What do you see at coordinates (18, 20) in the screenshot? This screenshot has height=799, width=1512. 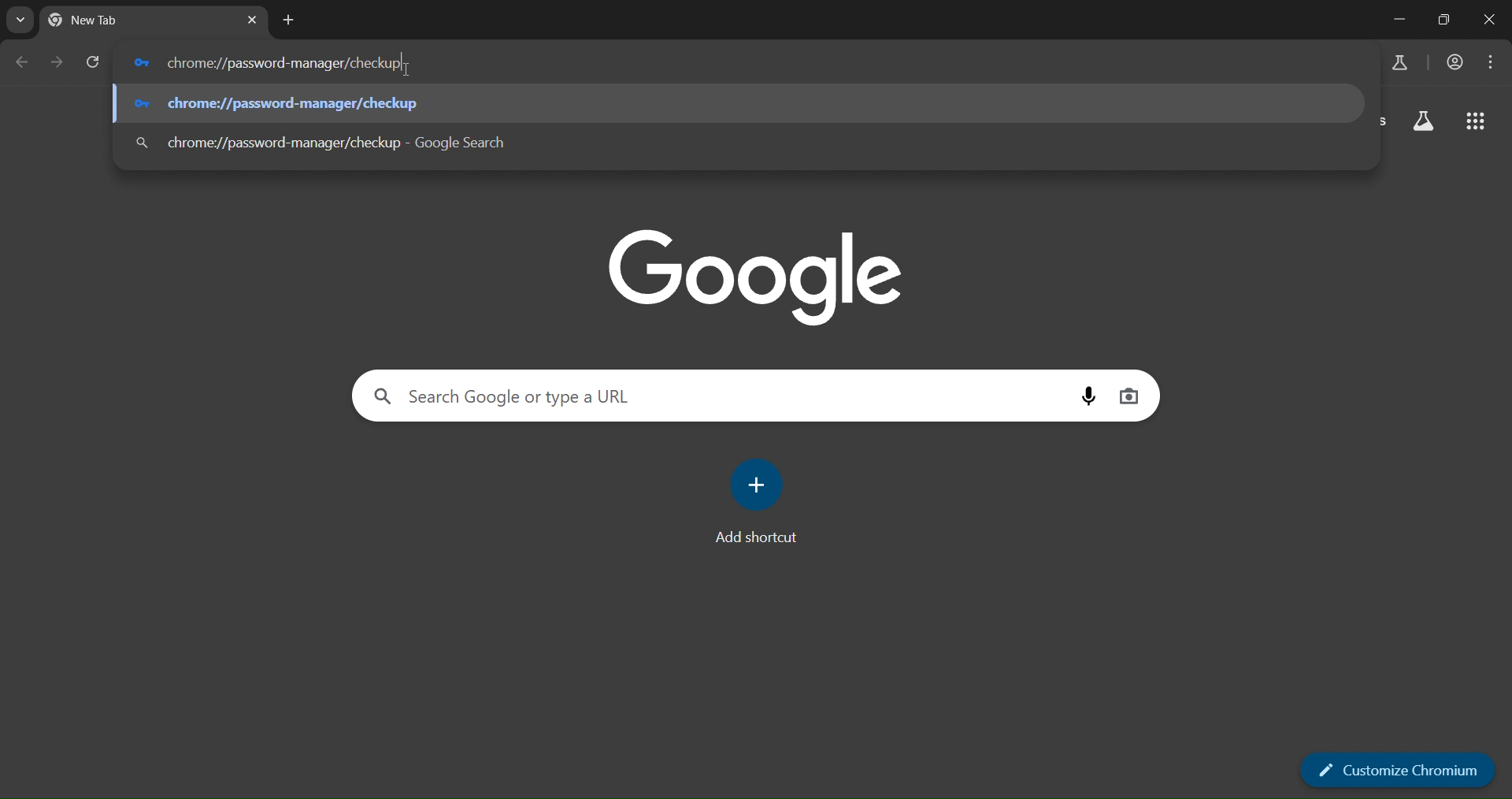 I see `search tabs` at bounding box center [18, 20].